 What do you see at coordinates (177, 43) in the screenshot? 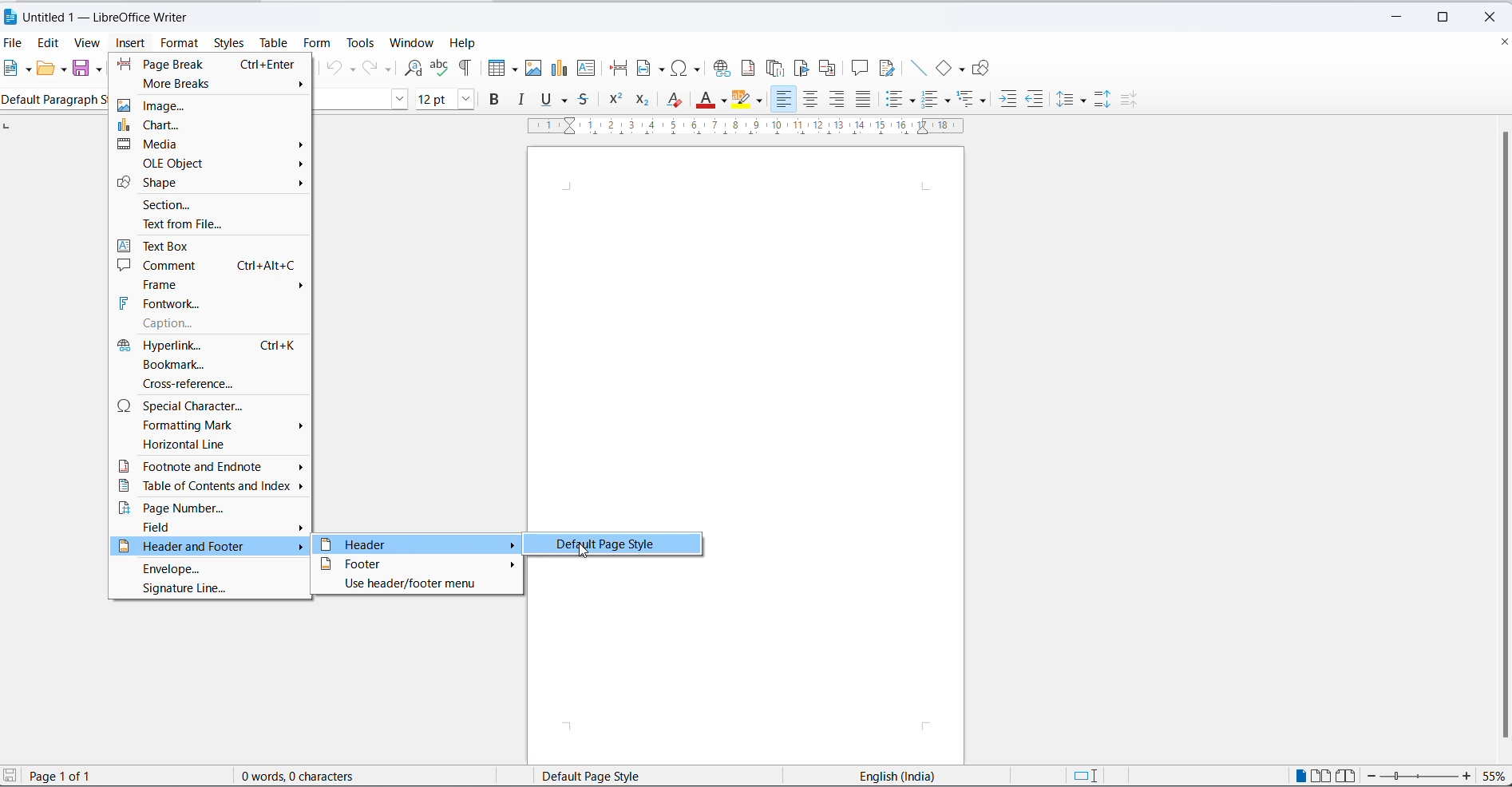
I see `format` at bounding box center [177, 43].